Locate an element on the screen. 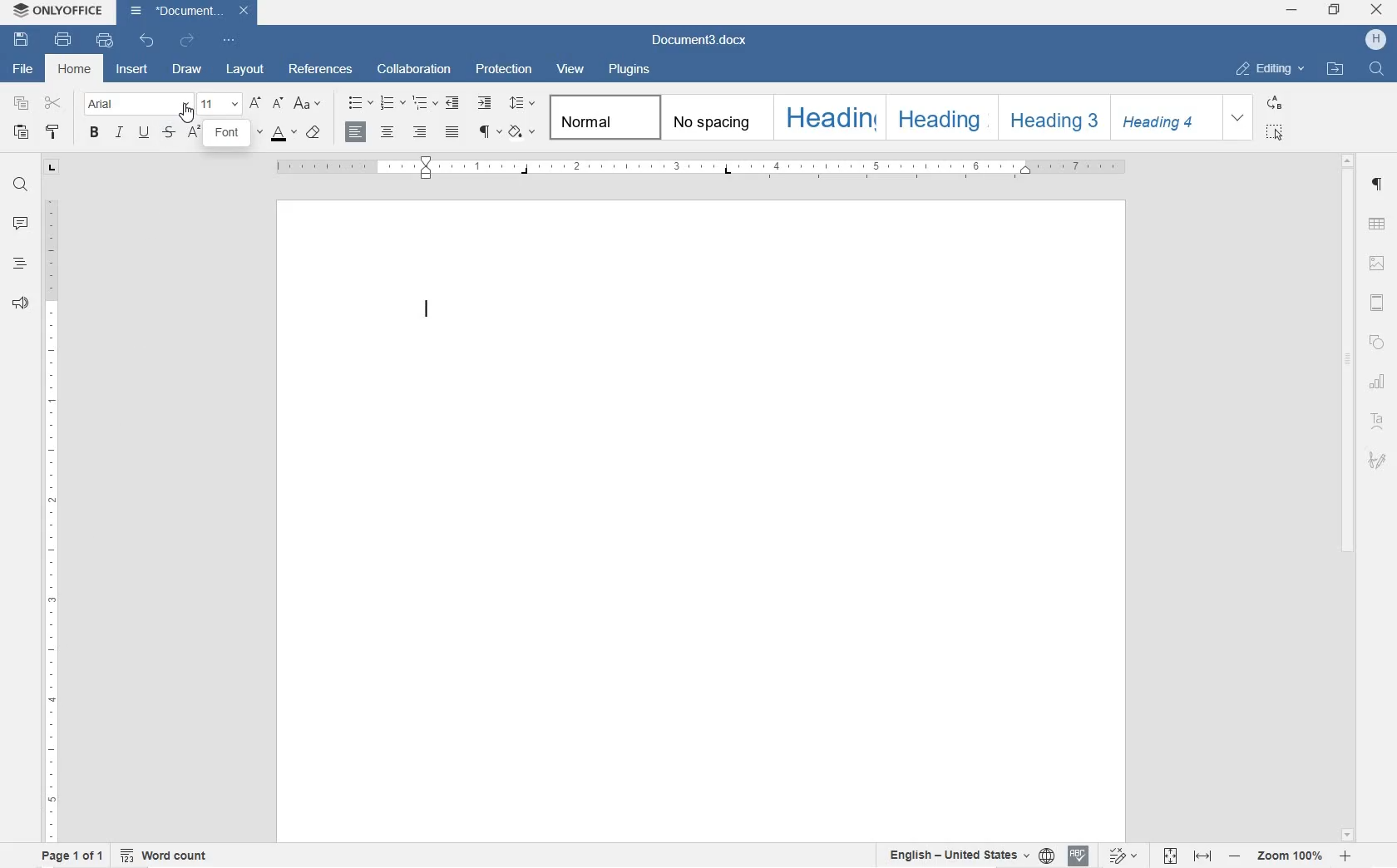 The height and width of the screenshot is (868, 1397). FILE is located at coordinates (25, 70).